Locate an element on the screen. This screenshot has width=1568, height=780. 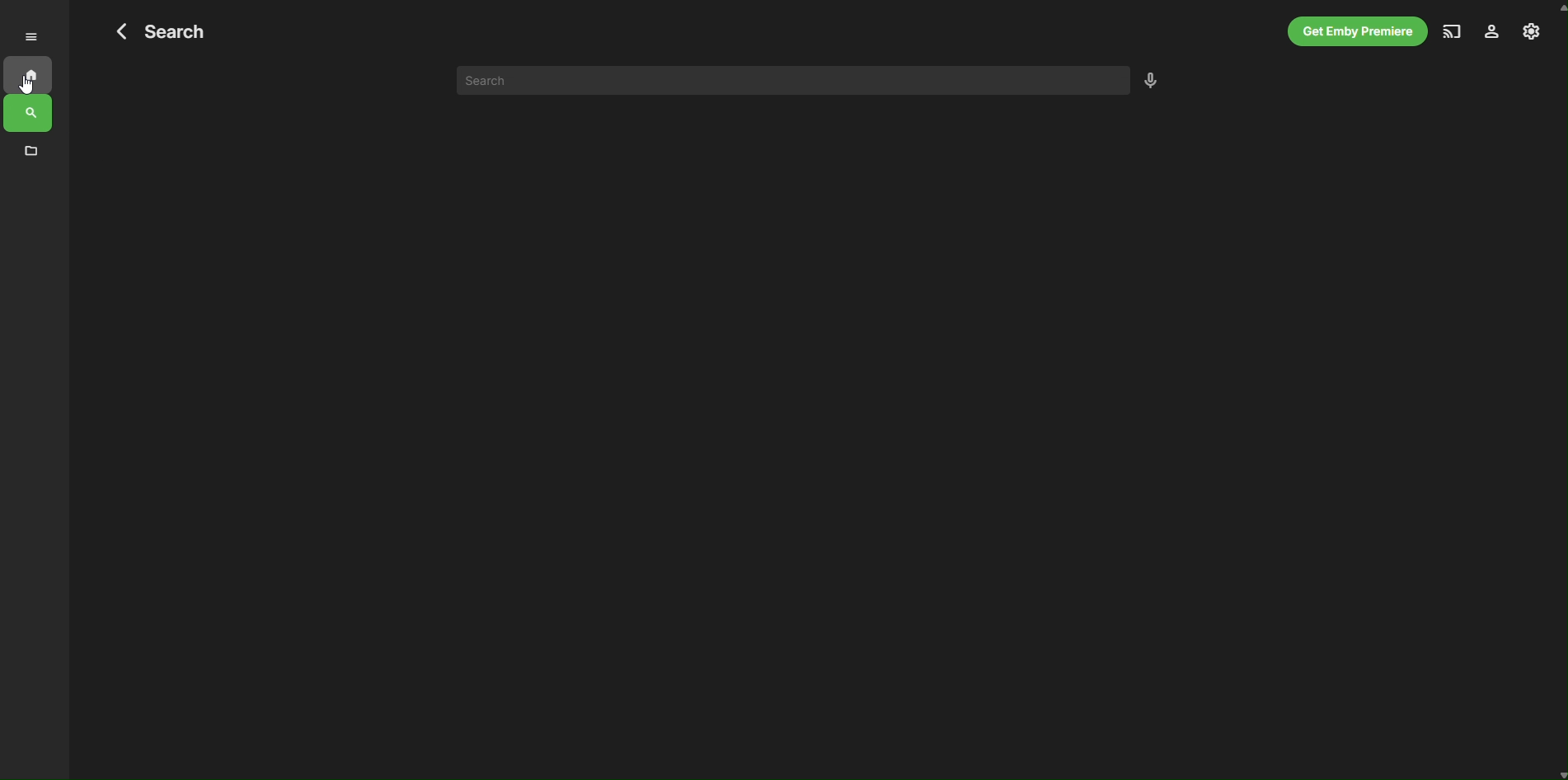
cursor is located at coordinates (30, 85).